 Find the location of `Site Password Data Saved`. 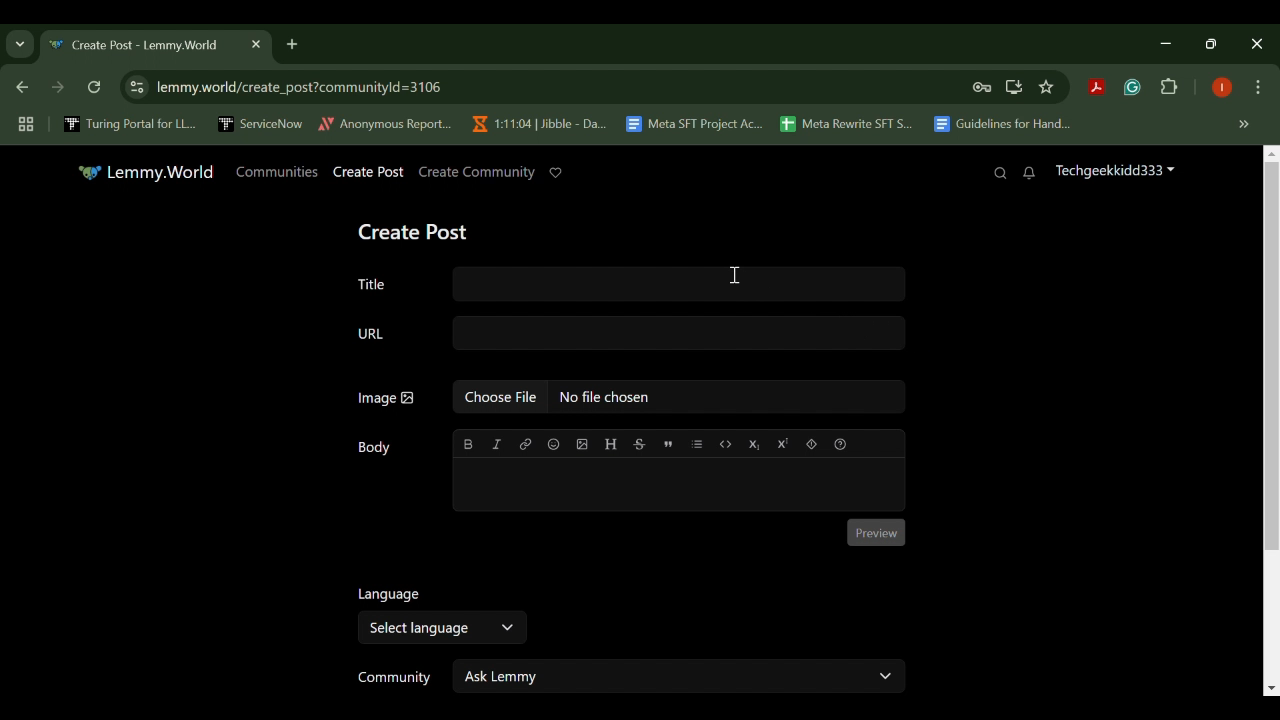

Site Password Data Saved is located at coordinates (982, 88).